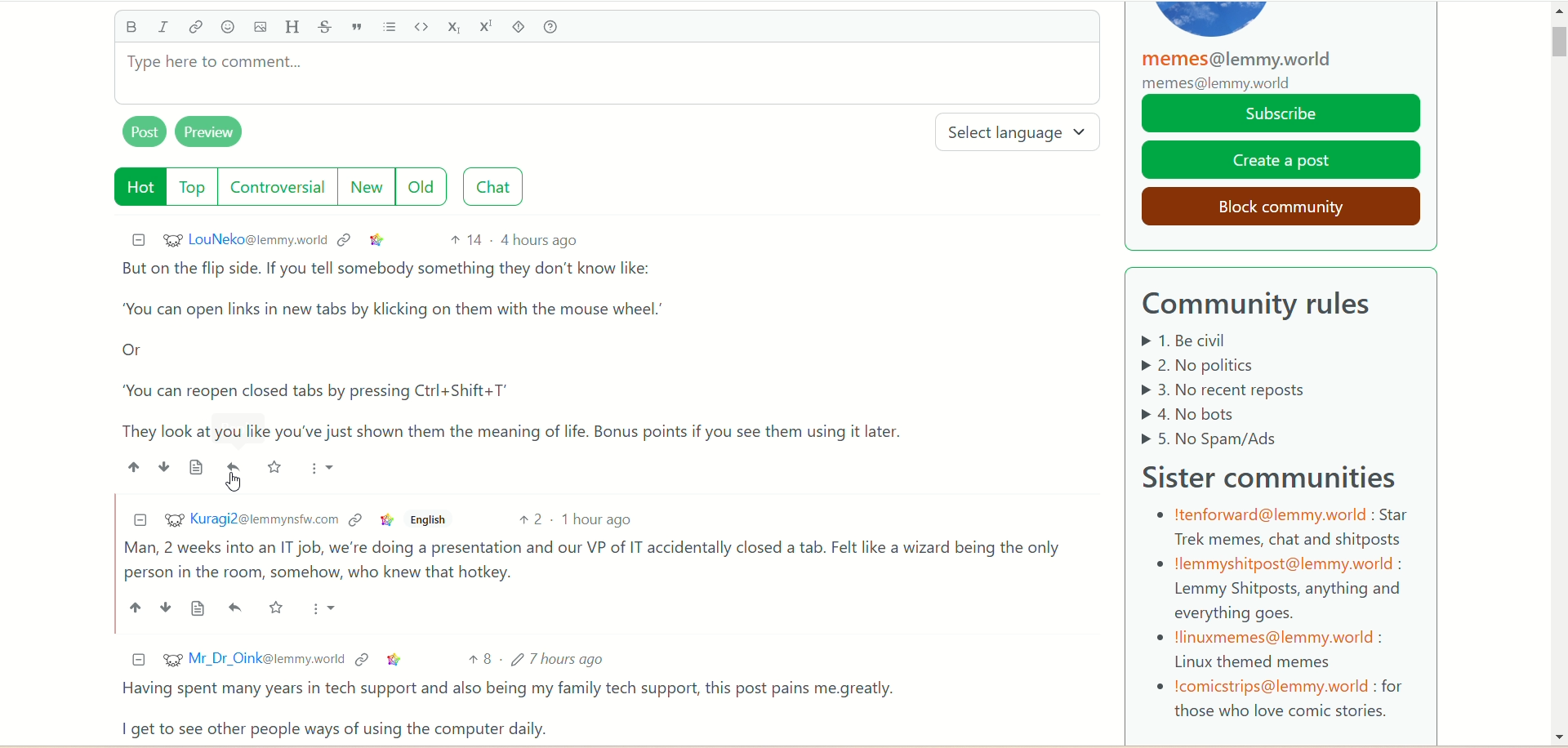  Describe the element at coordinates (282, 187) in the screenshot. I see `controversial` at that location.